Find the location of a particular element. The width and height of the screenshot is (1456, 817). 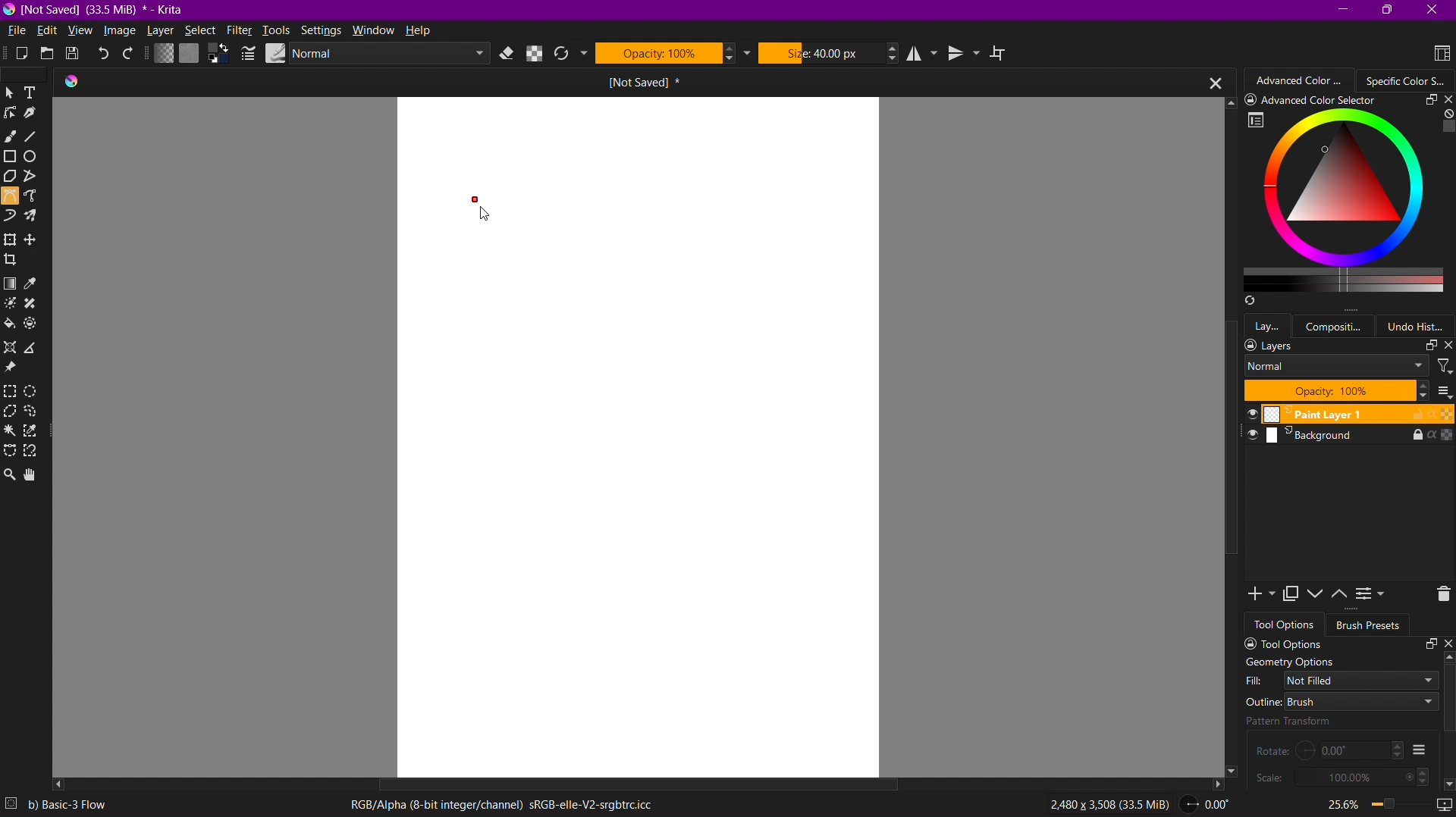

Delete Layer or Mask is located at coordinates (1438, 595).